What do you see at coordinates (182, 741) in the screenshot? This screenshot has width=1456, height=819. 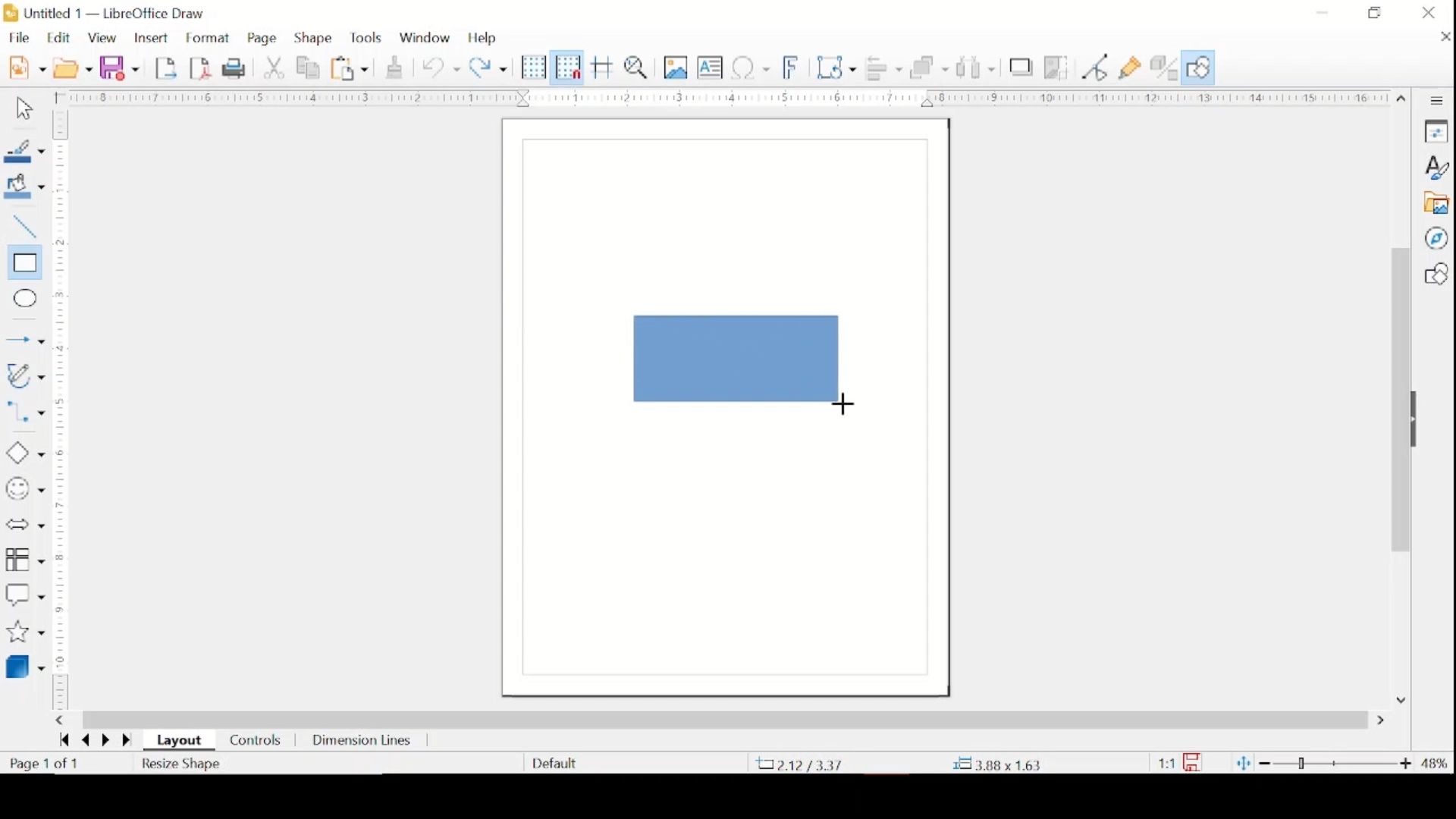 I see `layout` at bounding box center [182, 741].